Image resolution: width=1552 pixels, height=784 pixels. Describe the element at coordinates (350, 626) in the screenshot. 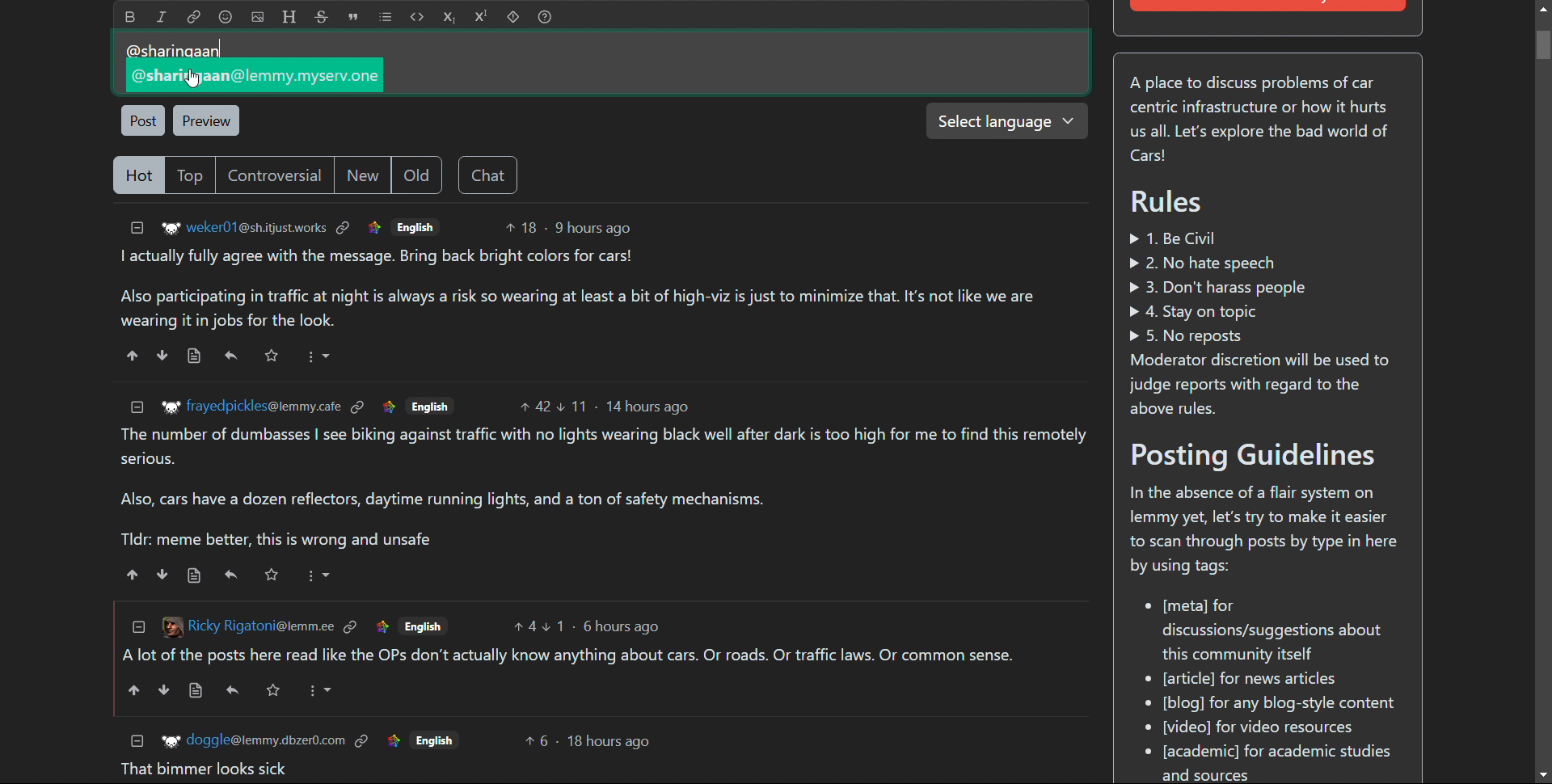

I see `link` at that location.